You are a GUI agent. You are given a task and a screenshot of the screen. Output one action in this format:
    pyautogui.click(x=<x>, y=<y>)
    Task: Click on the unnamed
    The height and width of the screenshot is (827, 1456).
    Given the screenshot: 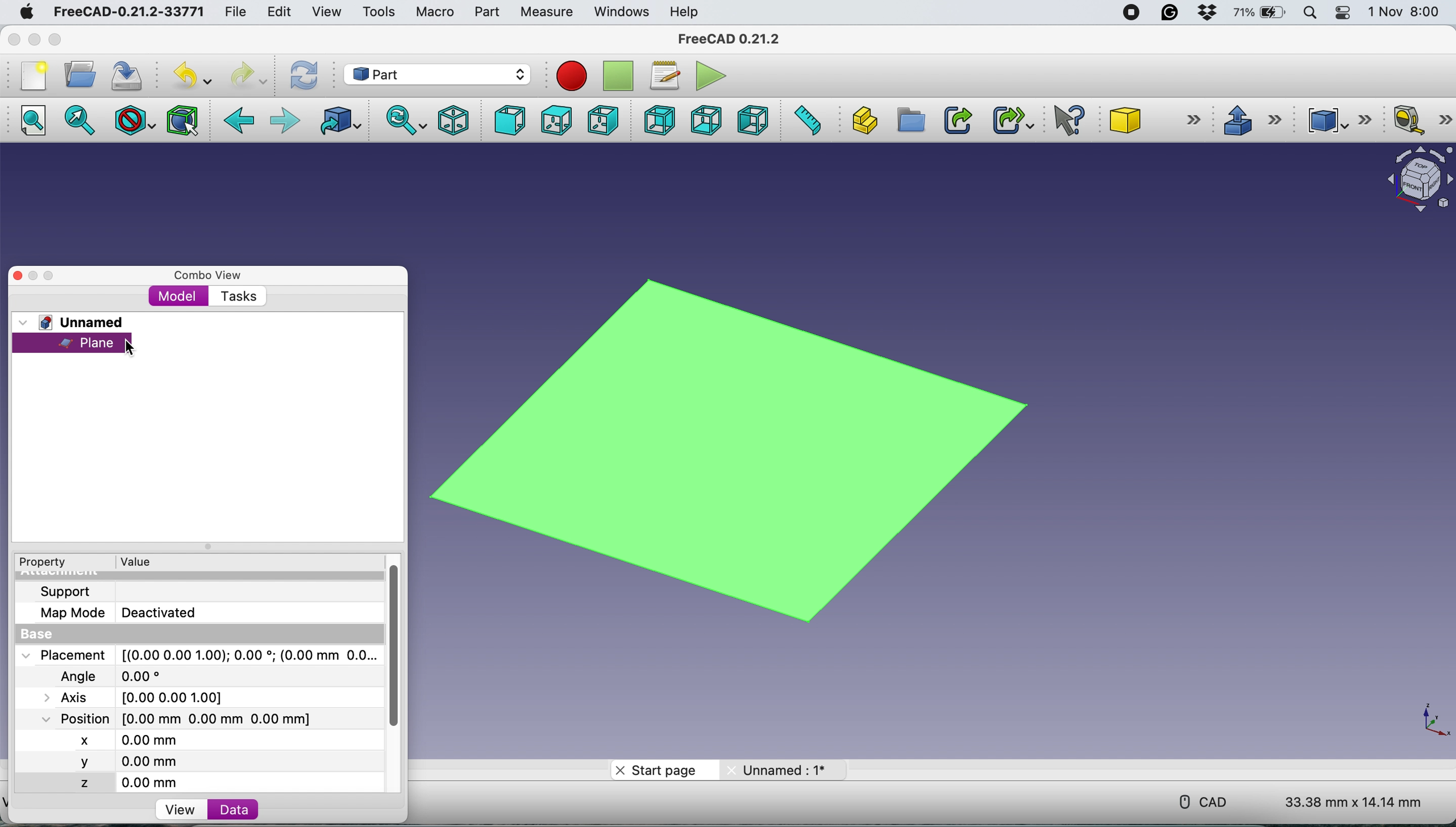 What is the action you would take?
    pyautogui.click(x=781, y=770)
    